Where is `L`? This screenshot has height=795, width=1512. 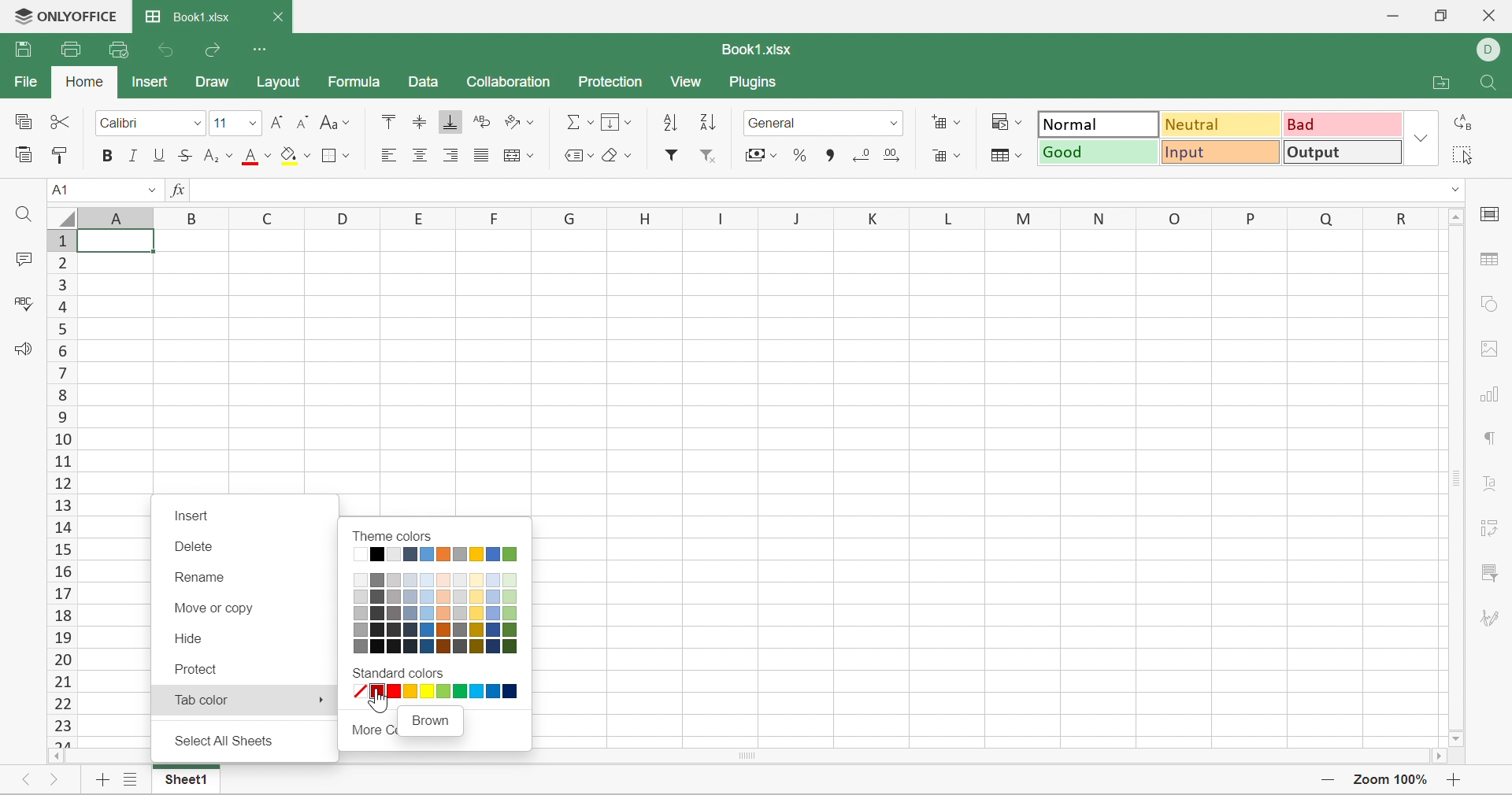
L is located at coordinates (936, 217).